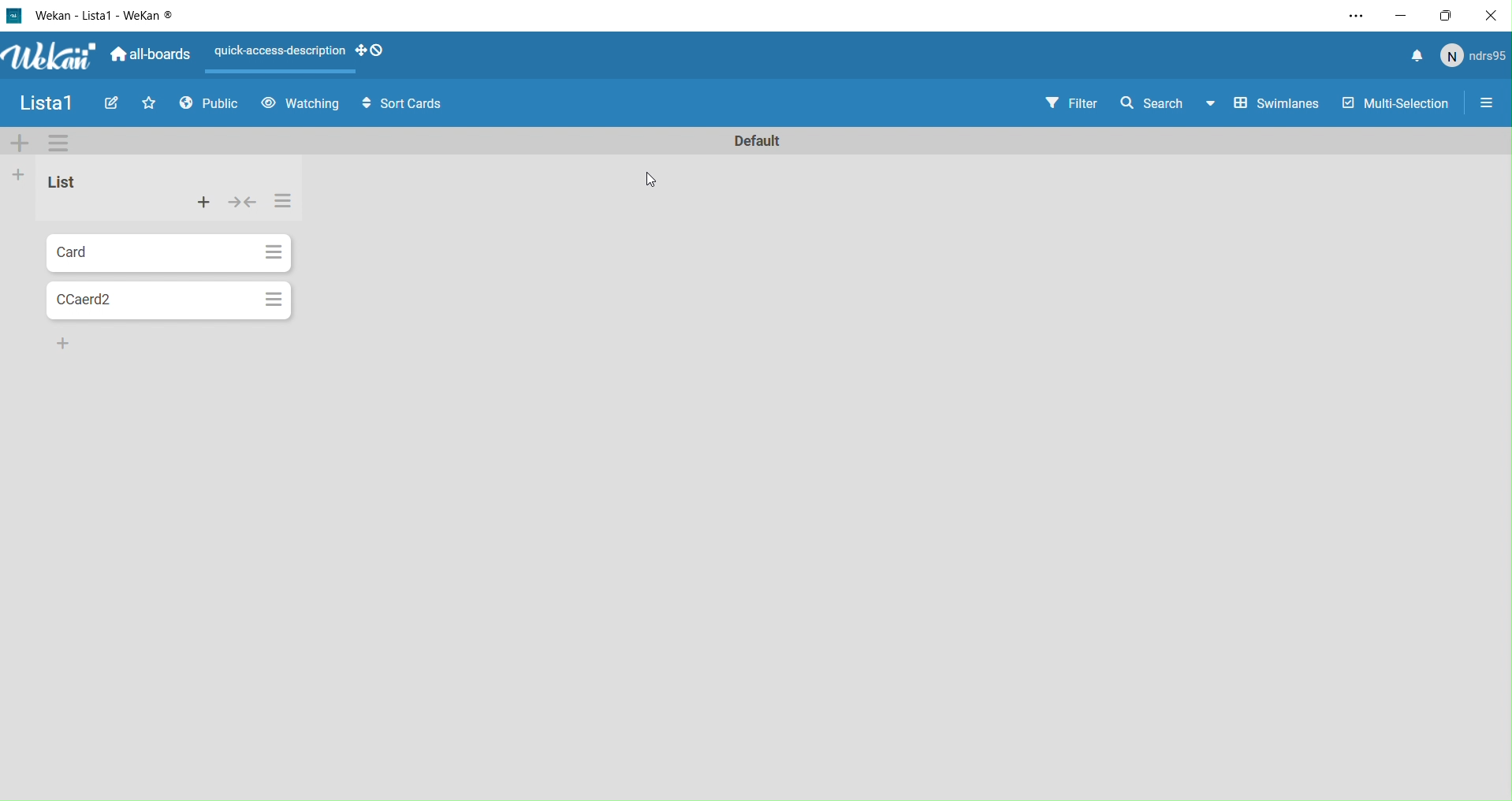 The image size is (1512, 801). Describe the element at coordinates (1399, 104) in the screenshot. I see `Multi Selection` at that location.